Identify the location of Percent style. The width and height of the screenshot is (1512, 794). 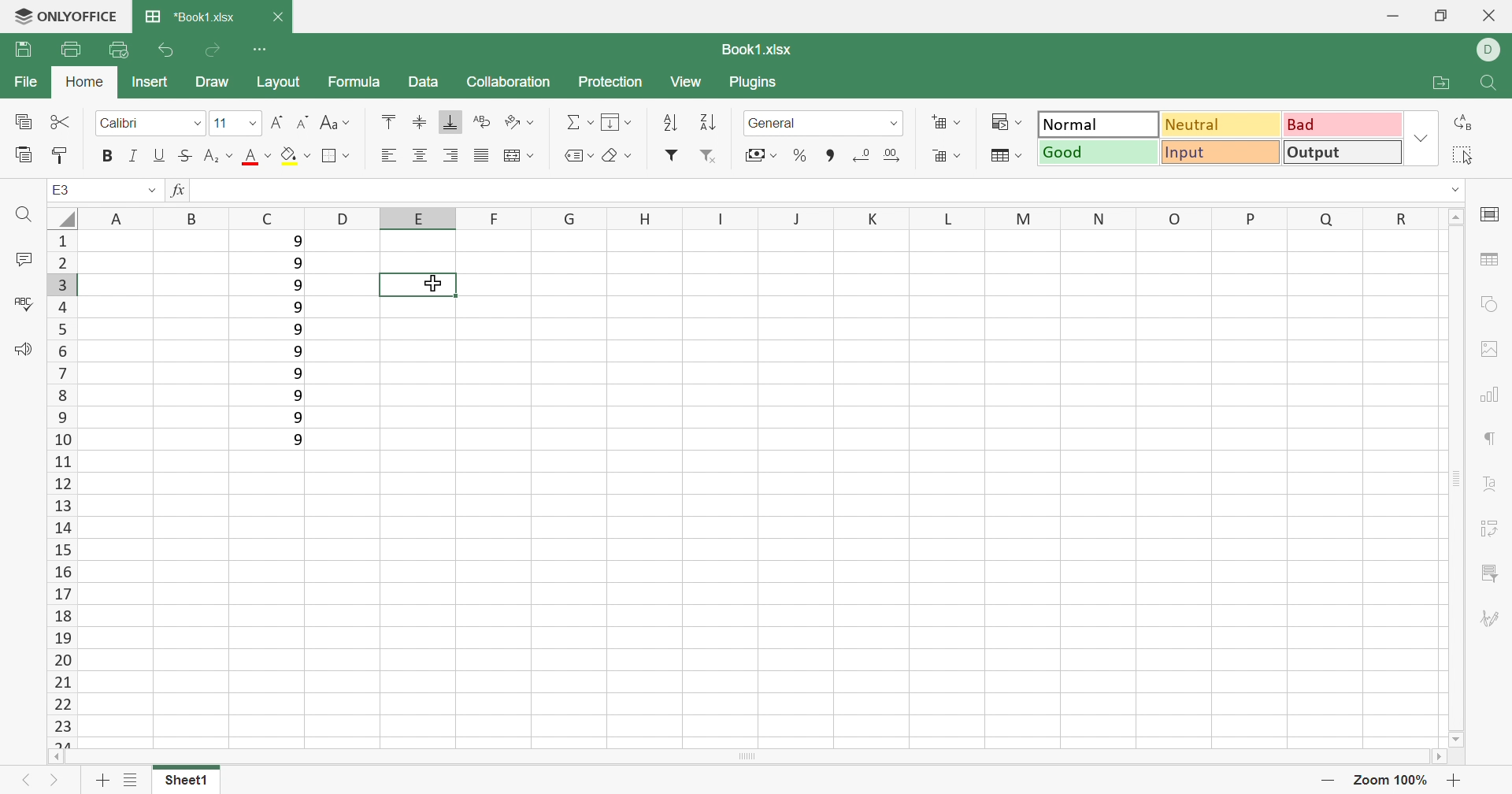
(801, 155).